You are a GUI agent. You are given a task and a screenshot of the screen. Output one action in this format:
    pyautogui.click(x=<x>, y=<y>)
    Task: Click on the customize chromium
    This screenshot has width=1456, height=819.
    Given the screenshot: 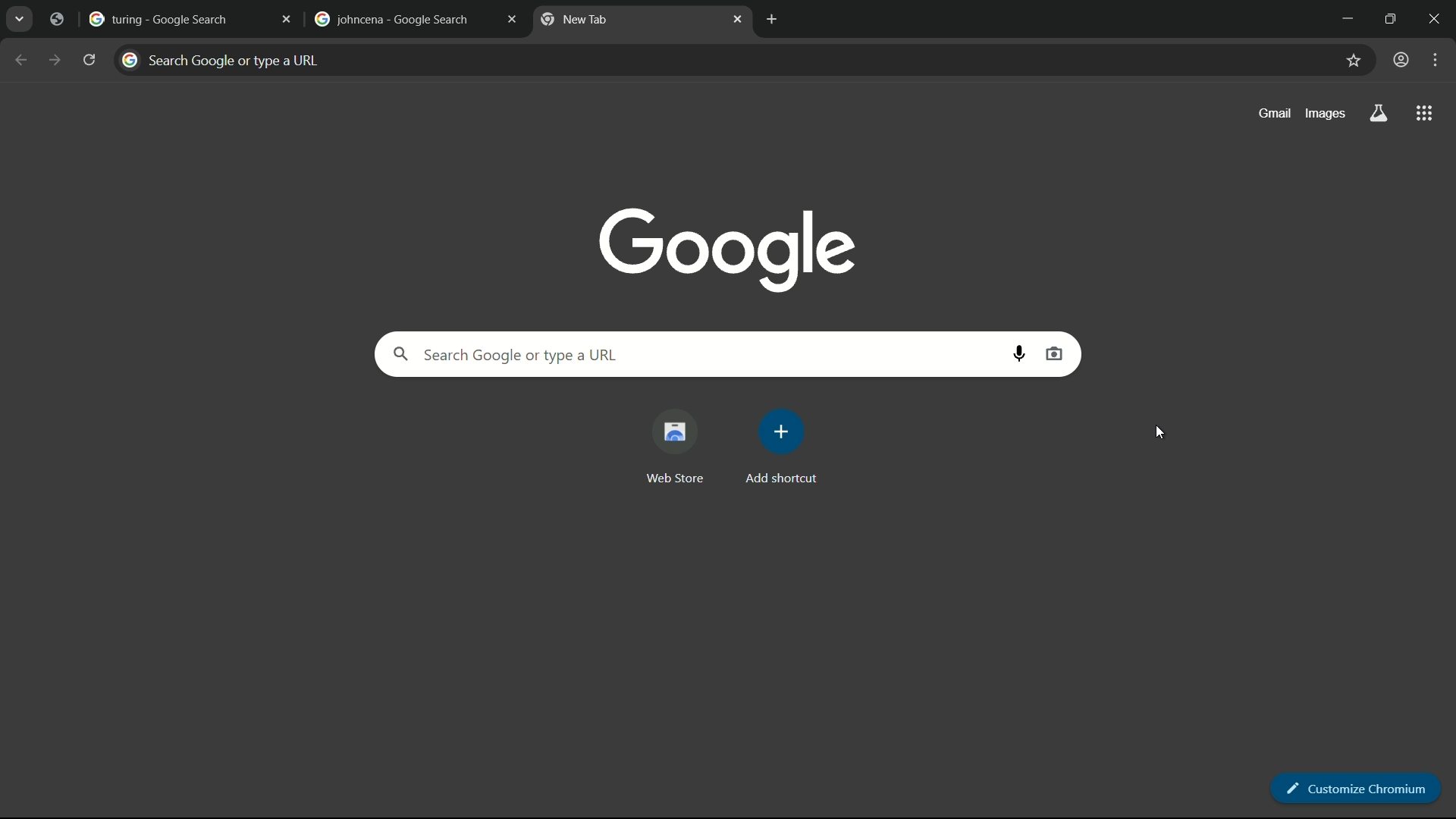 What is the action you would take?
    pyautogui.click(x=1352, y=783)
    